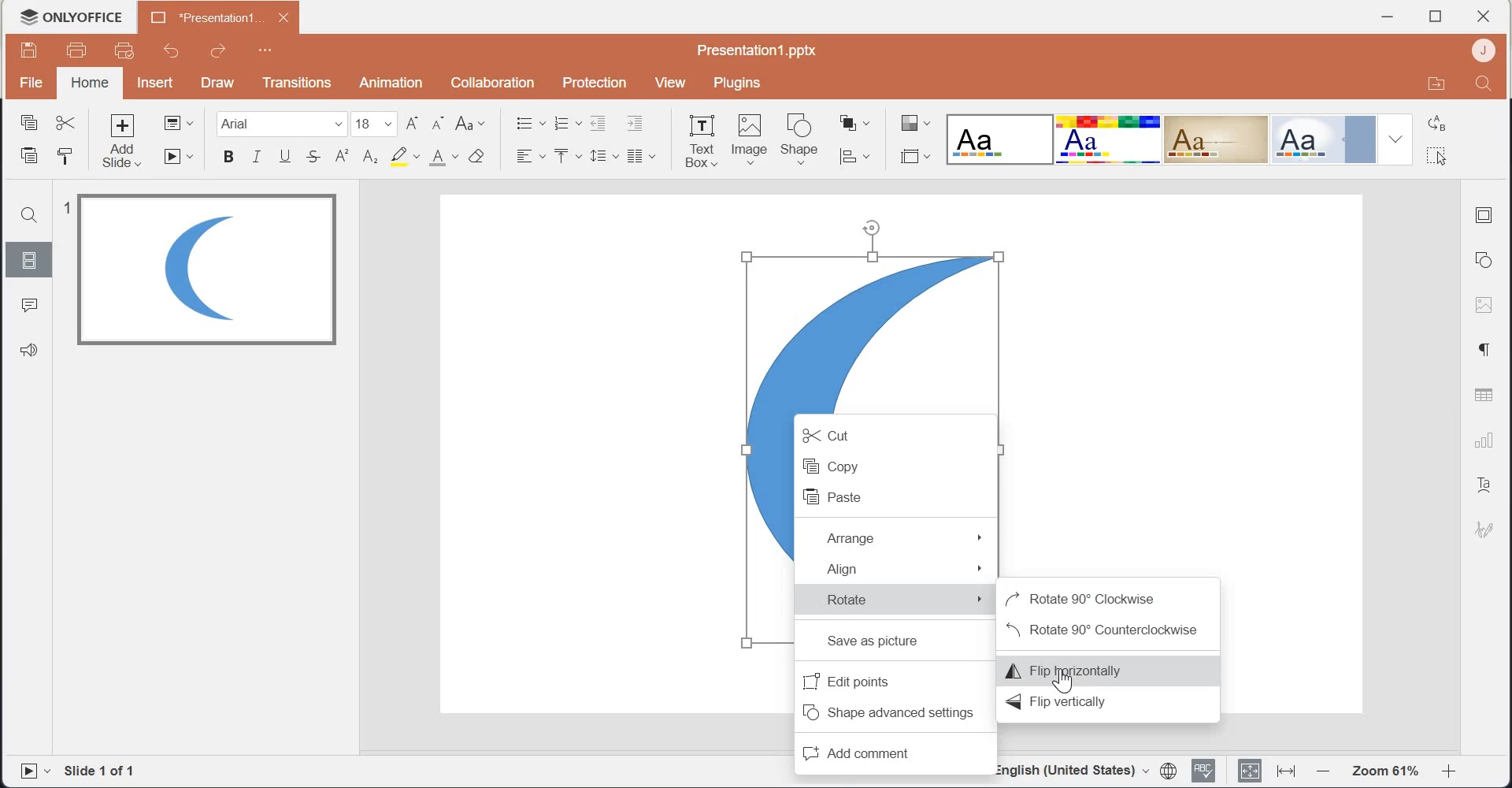 The image size is (1512, 788). Describe the element at coordinates (893, 749) in the screenshot. I see `Add comment` at that location.